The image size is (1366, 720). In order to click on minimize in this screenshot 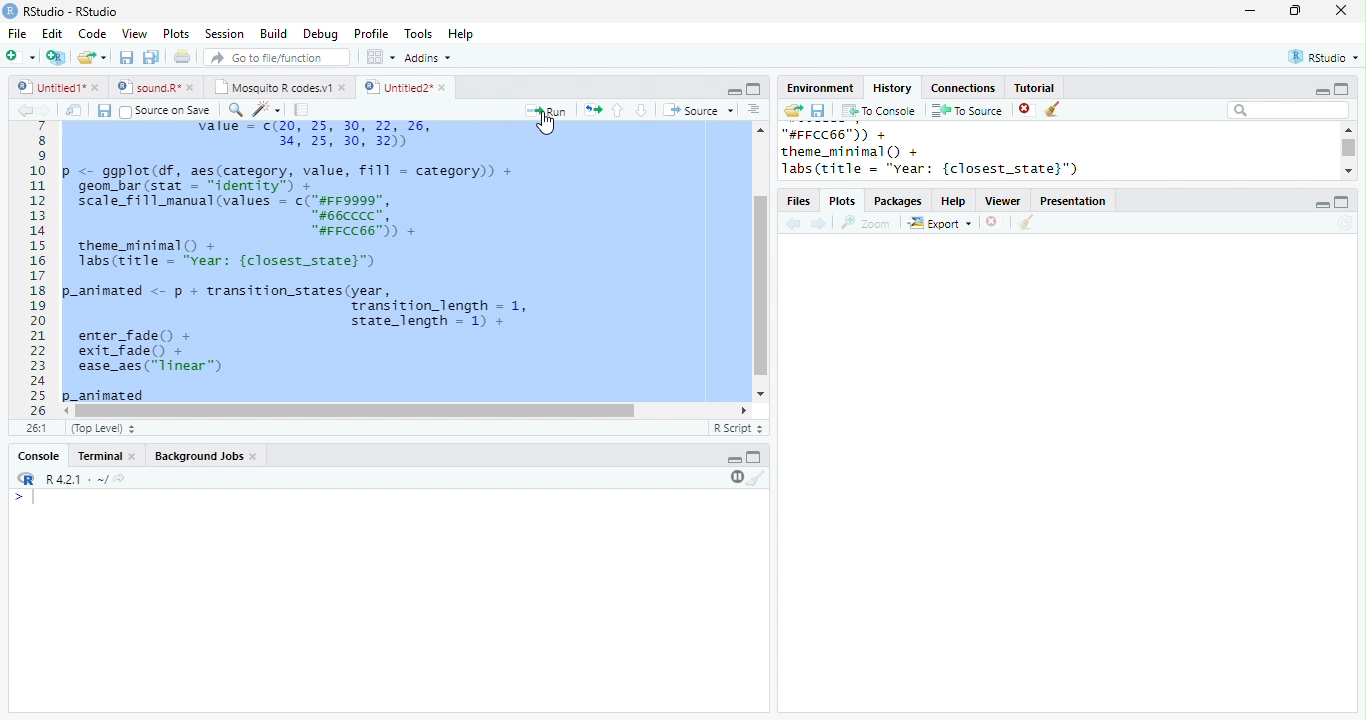, I will do `click(734, 460)`.